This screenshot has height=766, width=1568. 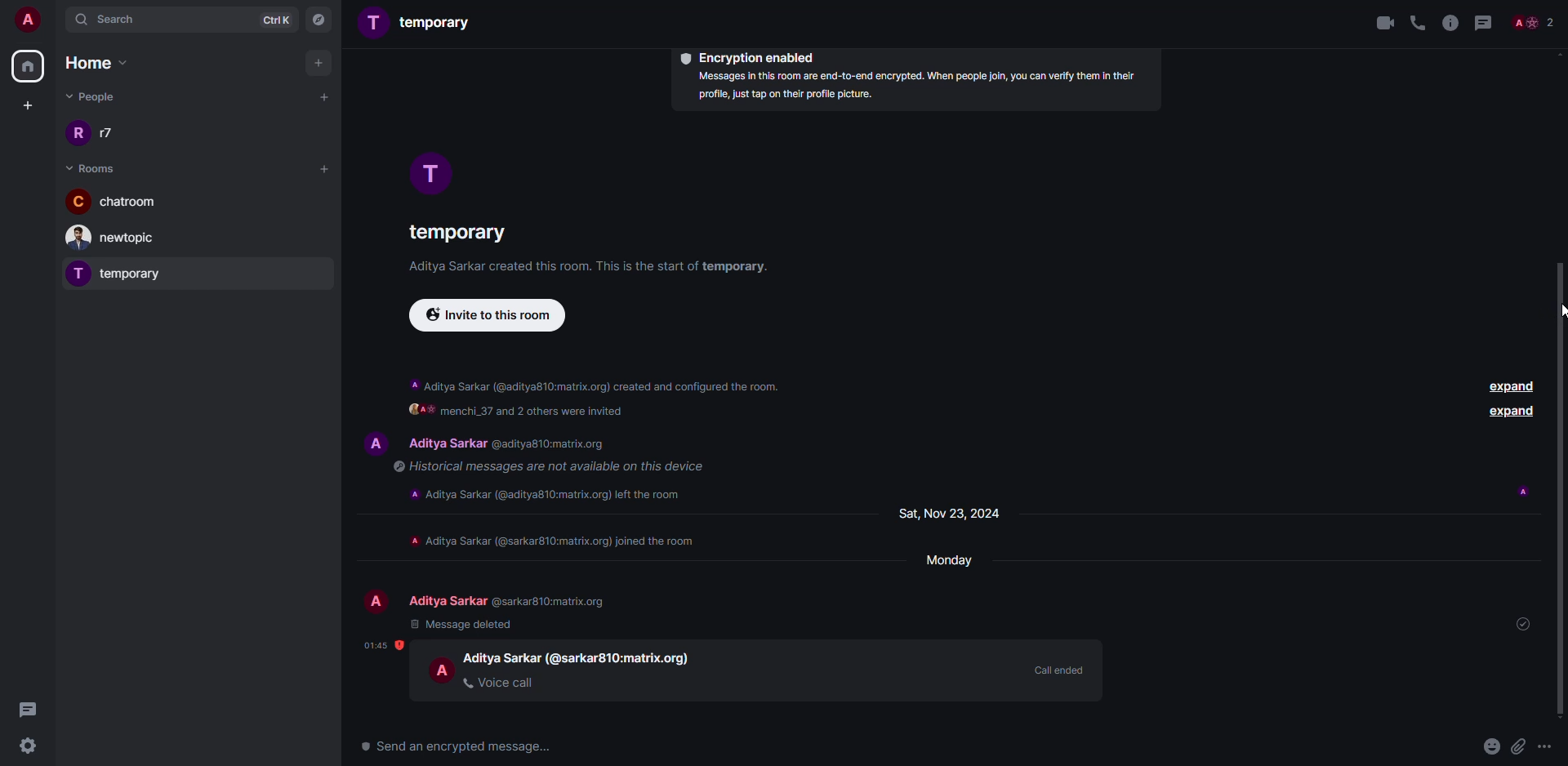 I want to click on threads, so click(x=1485, y=22).